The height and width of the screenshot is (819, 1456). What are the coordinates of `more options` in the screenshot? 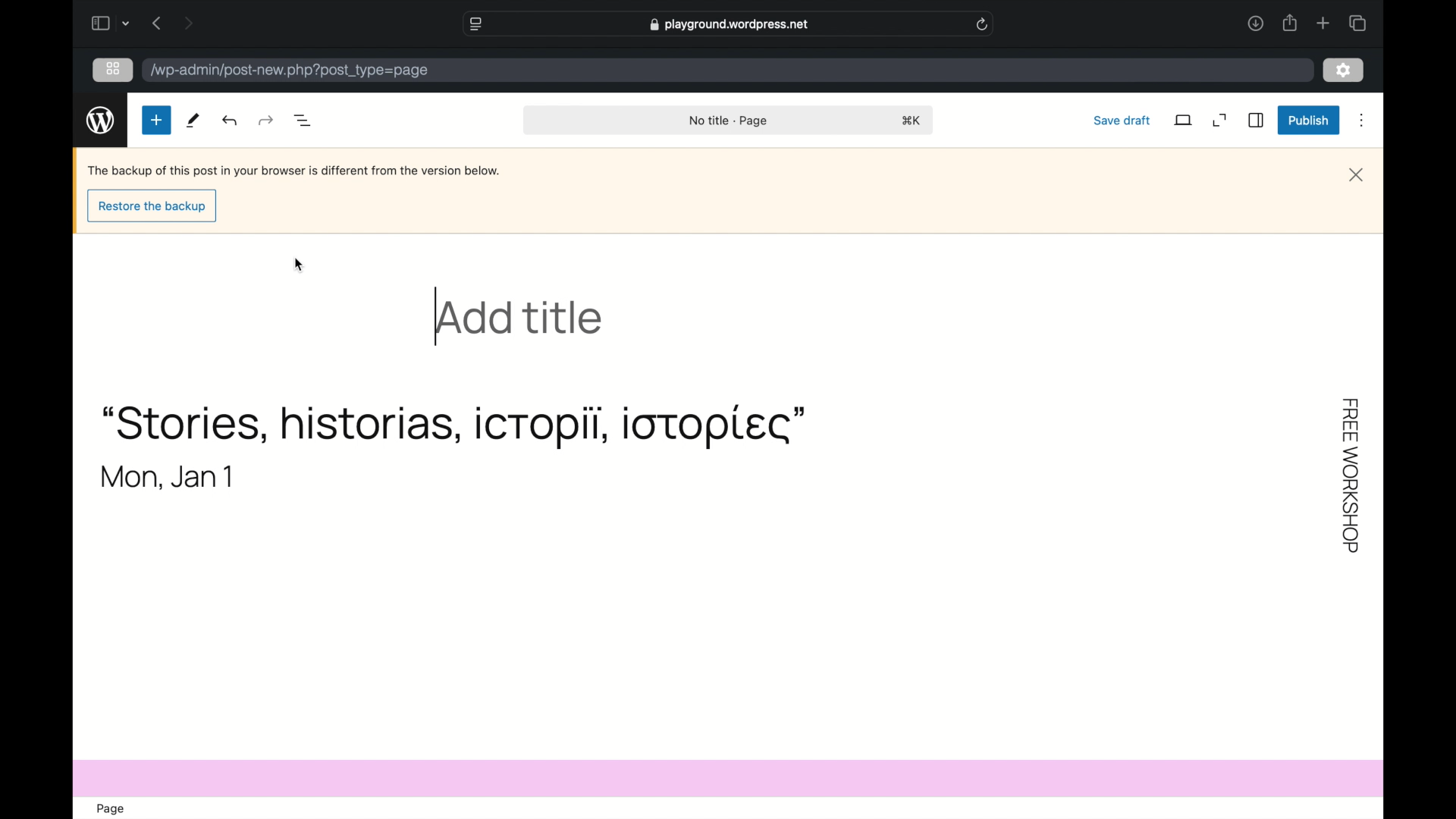 It's located at (1365, 120).